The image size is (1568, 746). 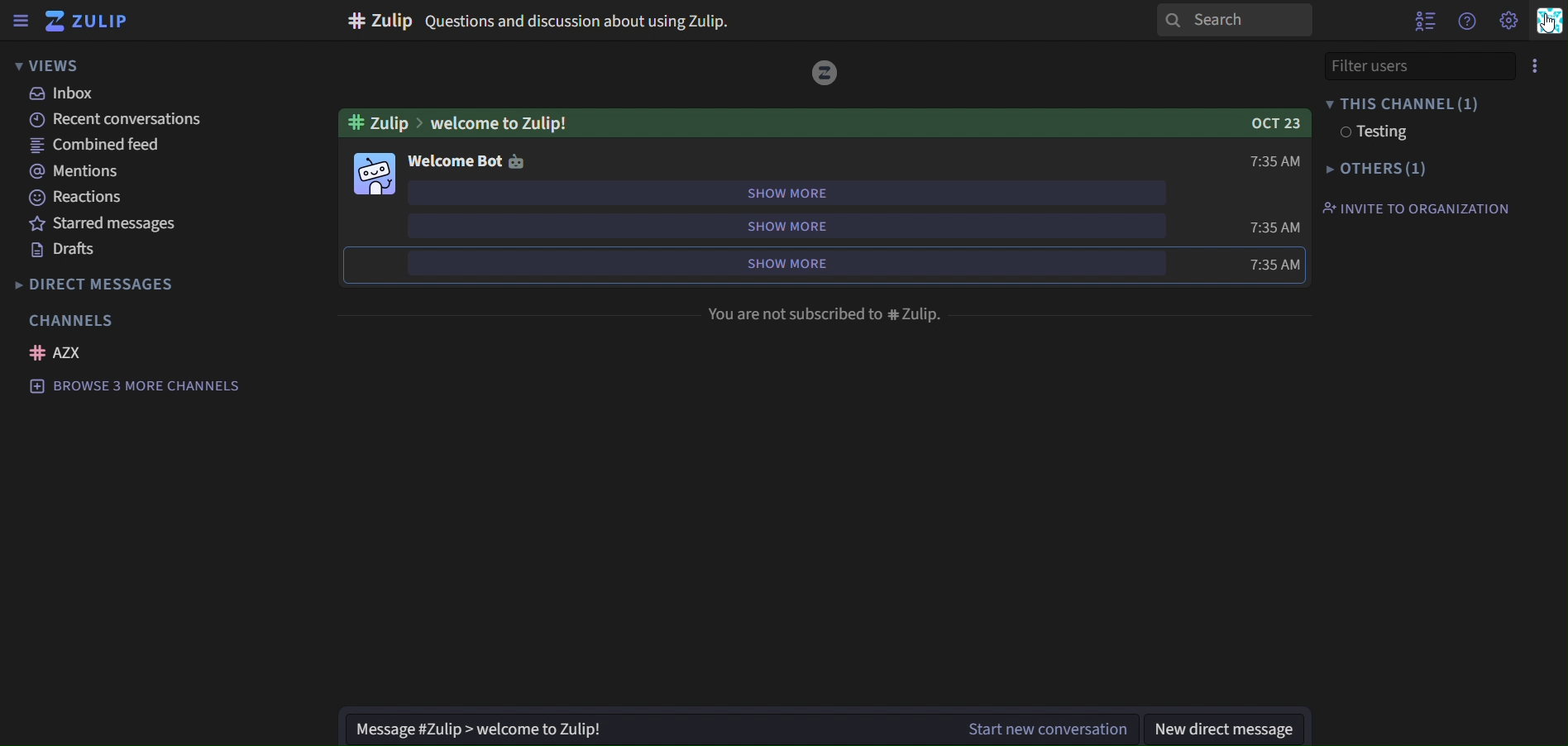 I want to click on image, so click(x=825, y=73).